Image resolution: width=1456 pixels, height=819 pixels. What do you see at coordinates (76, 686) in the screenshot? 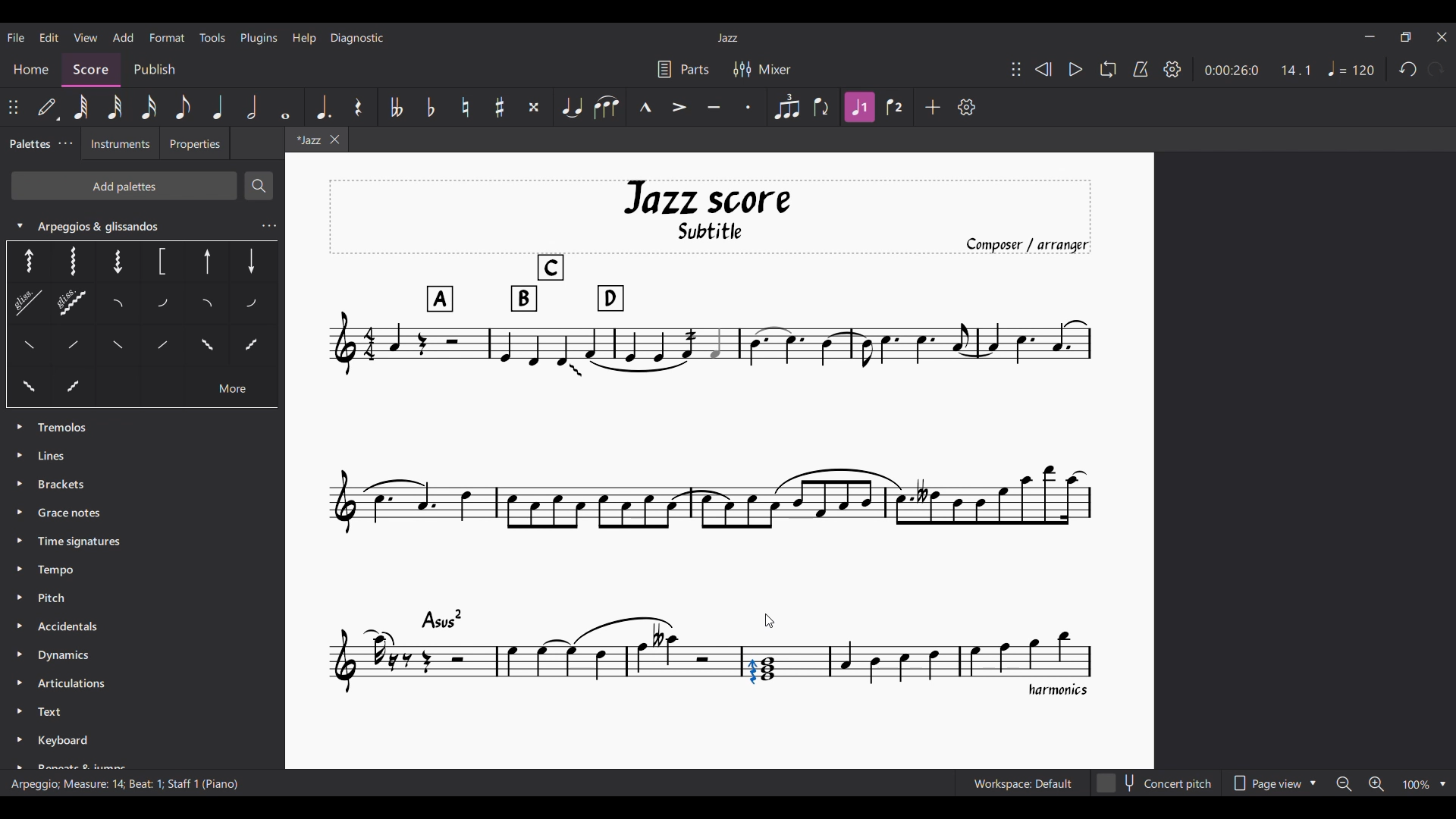
I see `Articulation` at bounding box center [76, 686].